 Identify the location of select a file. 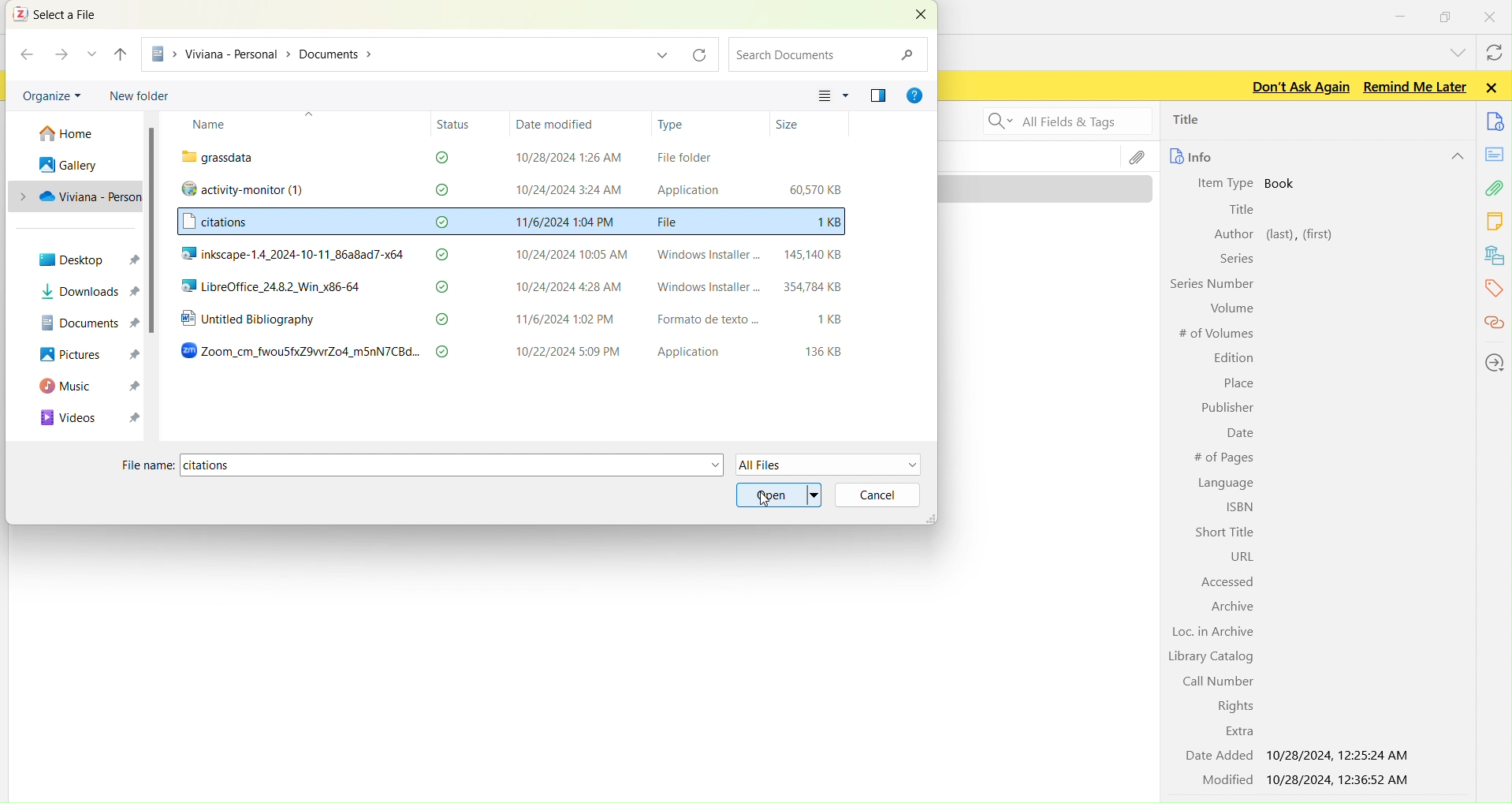
(76, 16).